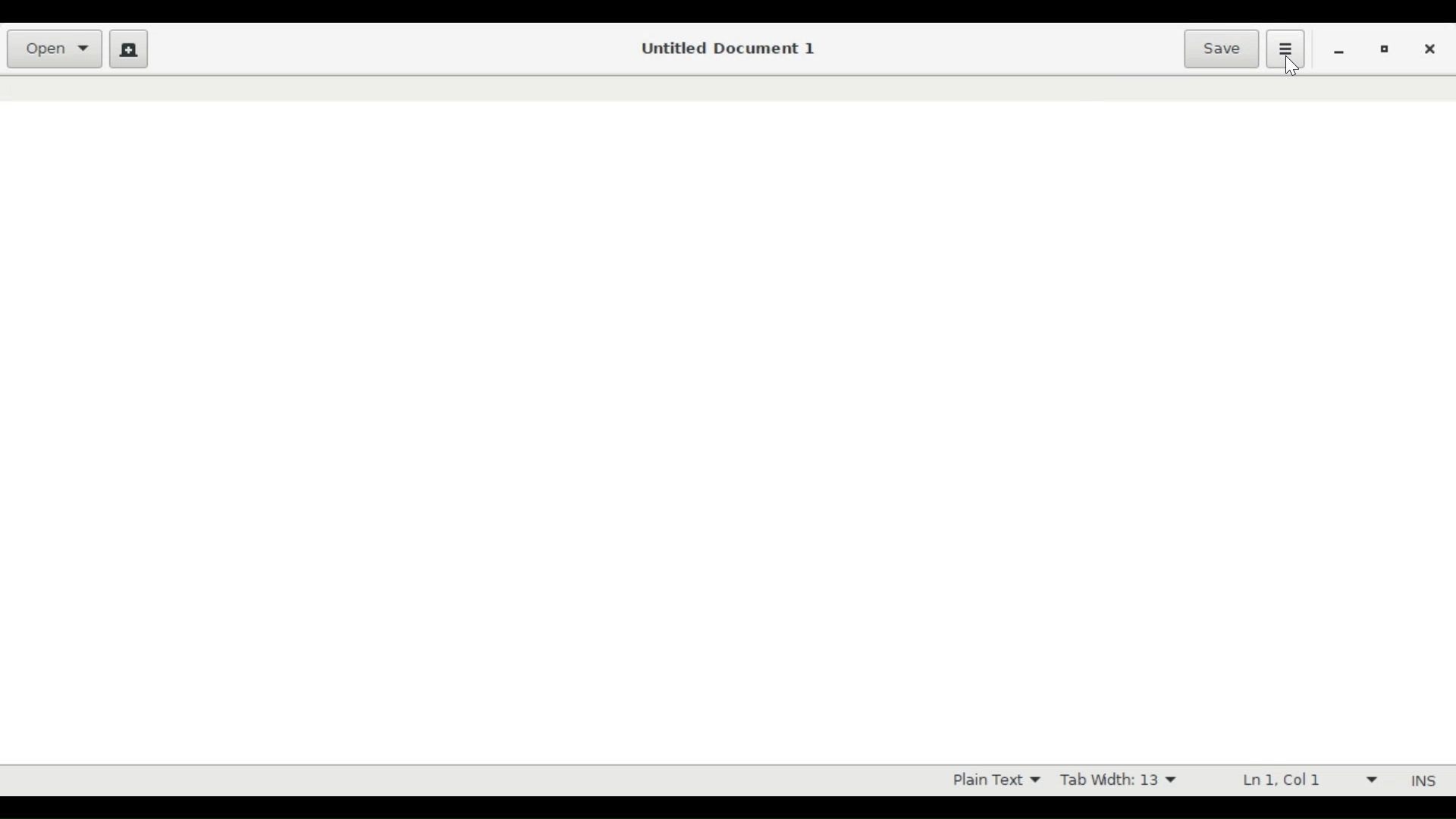 Image resolution: width=1456 pixels, height=819 pixels. I want to click on Save, so click(1220, 49).